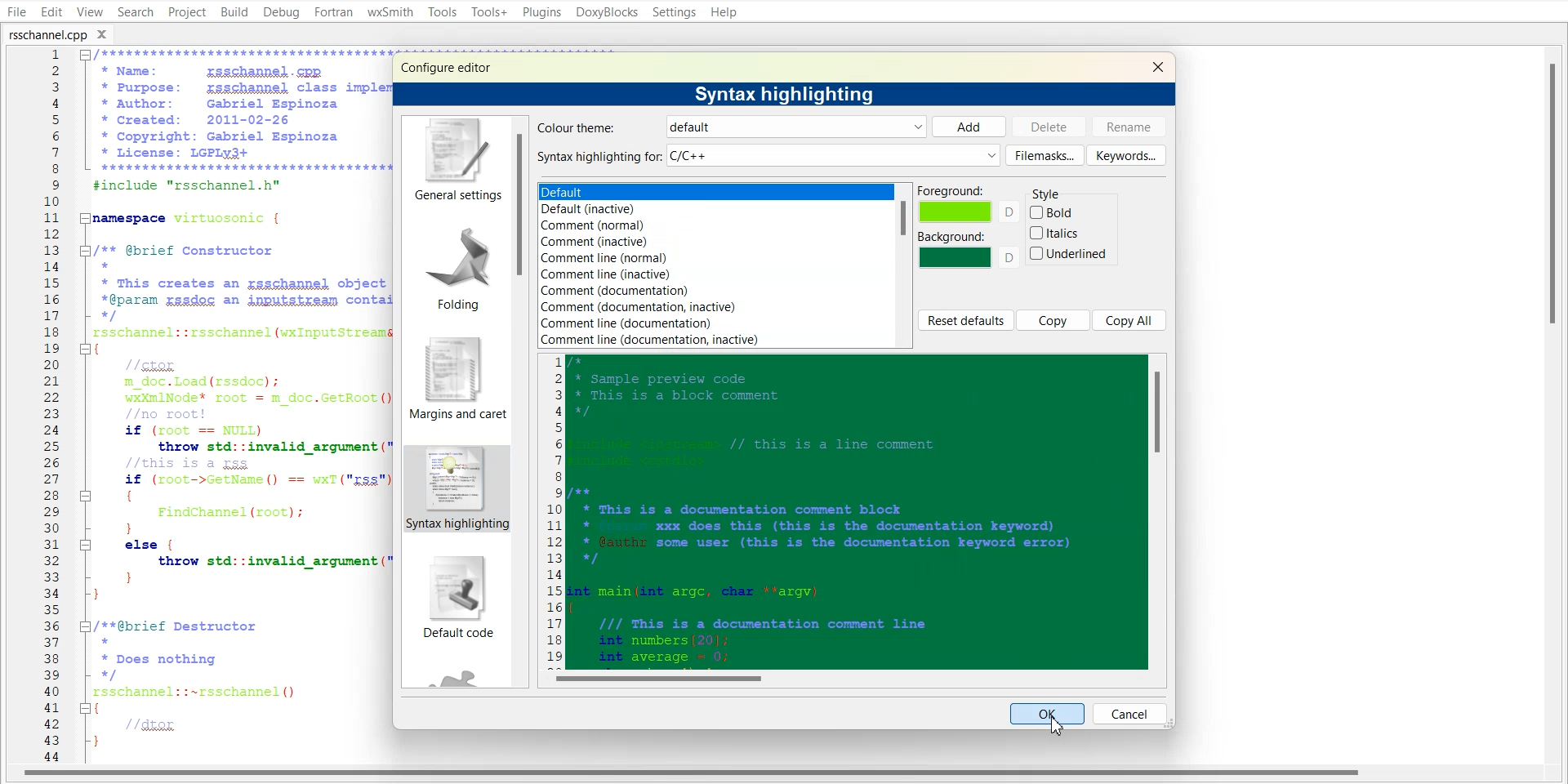 Image resolution: width=1568 pixels, height=784 pixels. I want to click on Close, so click(1157, 66).